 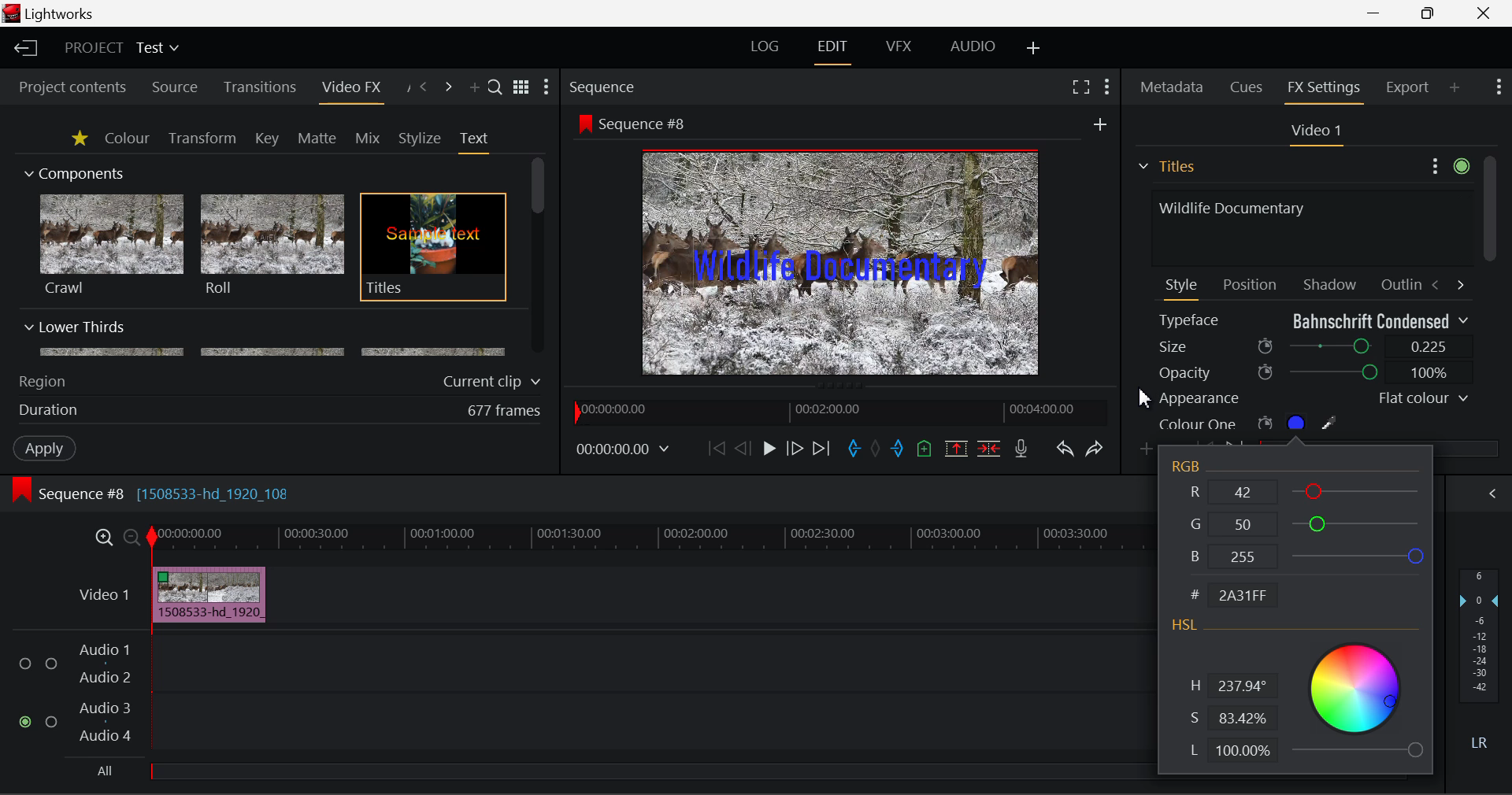 What do you see at coordinates (472, 88) in the screenshot?
I see `Add Panel` at bounding box center [472, 88].